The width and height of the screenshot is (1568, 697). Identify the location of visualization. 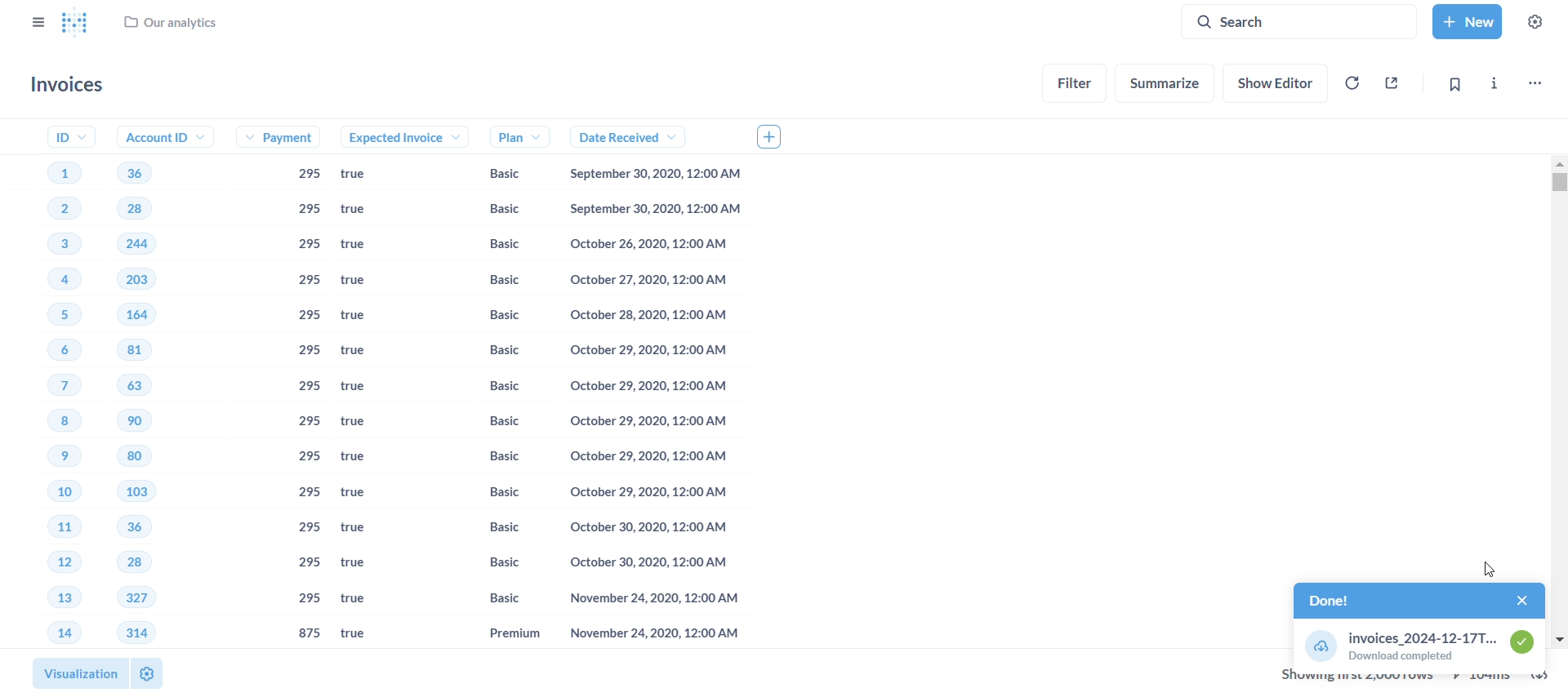
(74, 670).